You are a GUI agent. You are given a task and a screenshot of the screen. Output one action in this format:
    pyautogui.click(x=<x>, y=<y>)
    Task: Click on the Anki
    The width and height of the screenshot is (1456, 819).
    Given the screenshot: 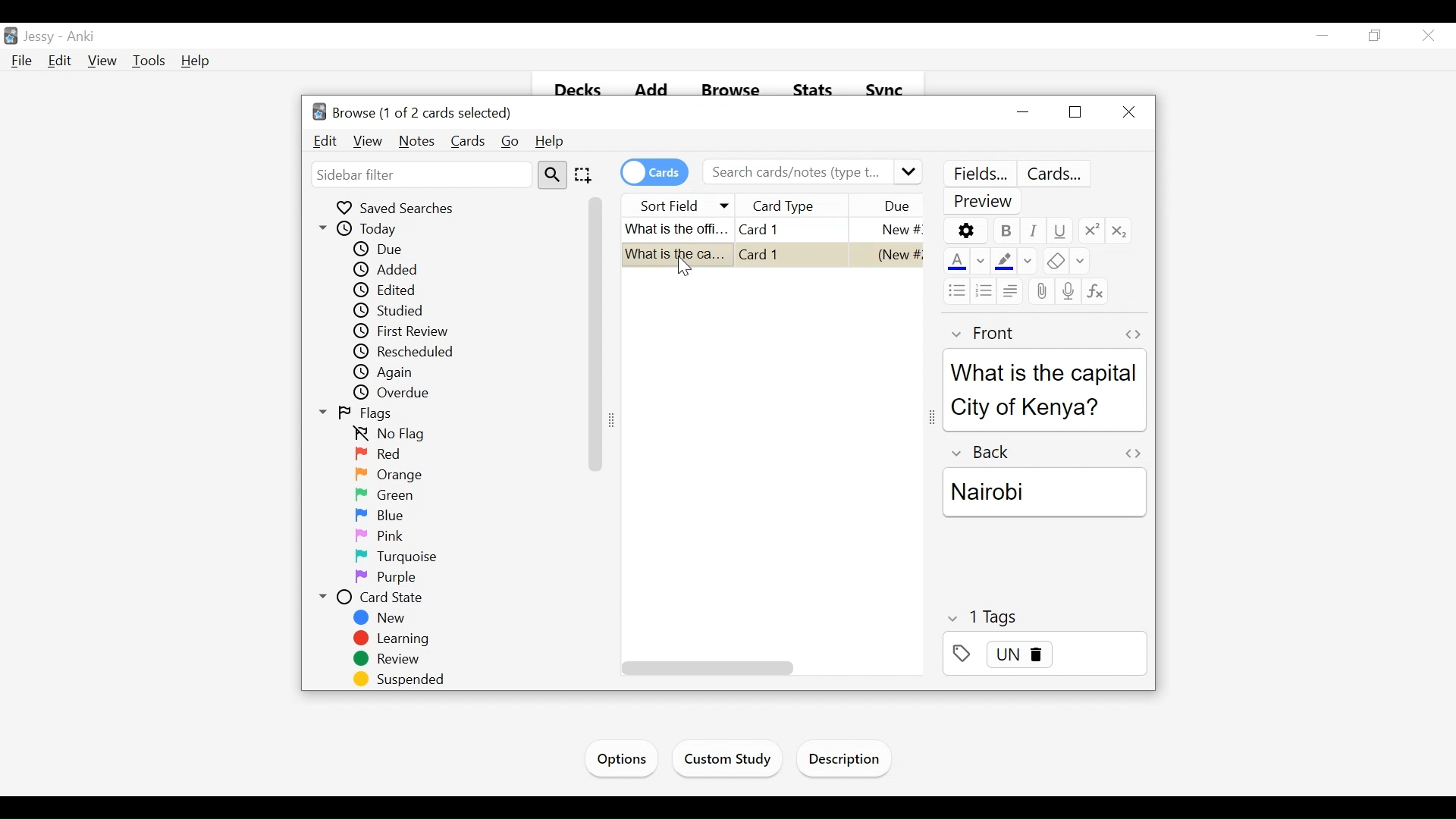 What is the action you would take?
    pyautogui.click(x=85, y=37)
    